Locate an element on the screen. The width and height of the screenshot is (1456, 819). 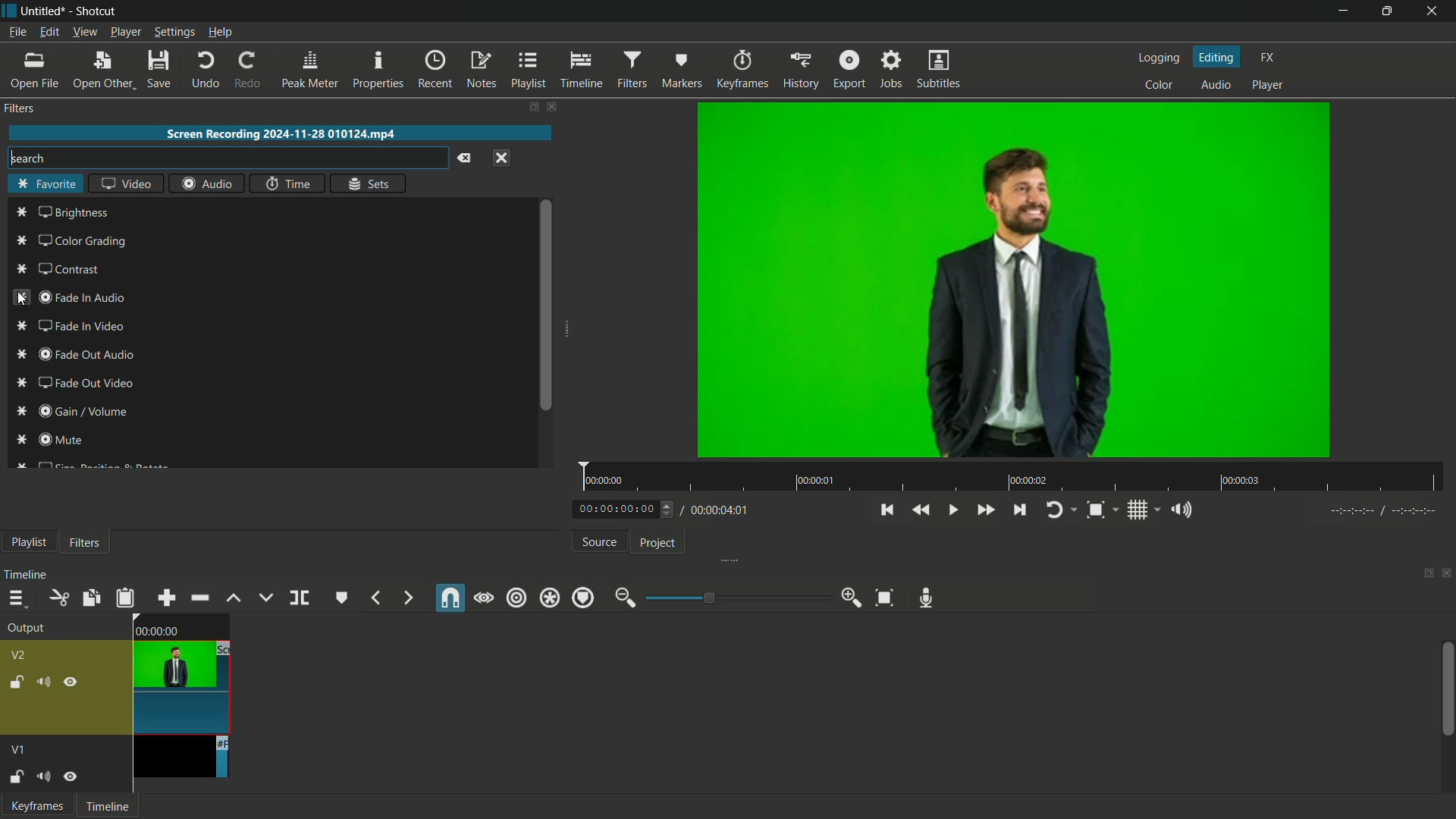
brightness is located at coordinates (64, 212).